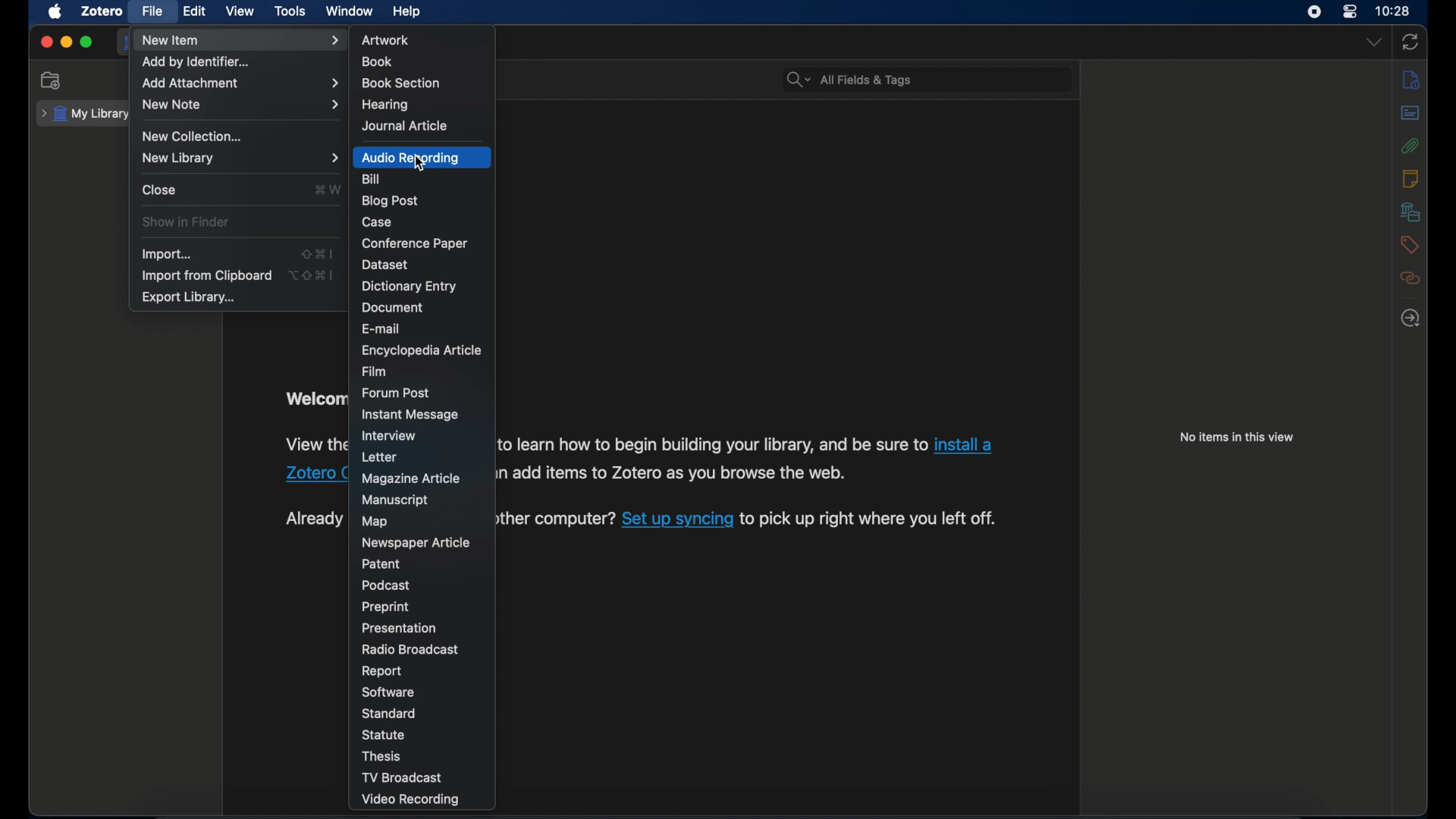 The width and height of the screenshot is (1456, 819). What do you see at coordinates (411, 478) in the screenshot?
I see `magazine article` at bounding box center [411, 478].